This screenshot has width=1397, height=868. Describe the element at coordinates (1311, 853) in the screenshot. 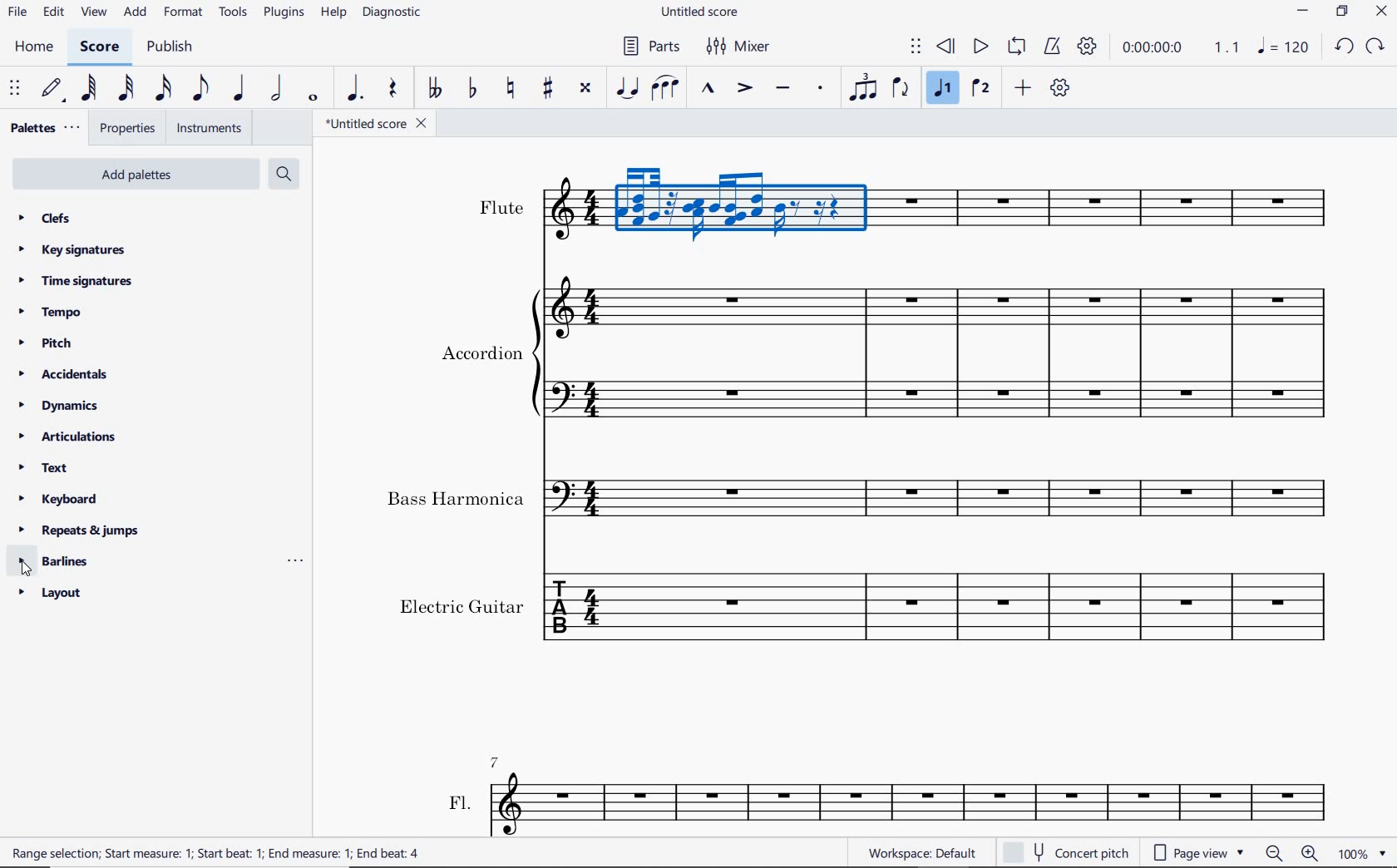

I see `ZOOM IN` at that location.